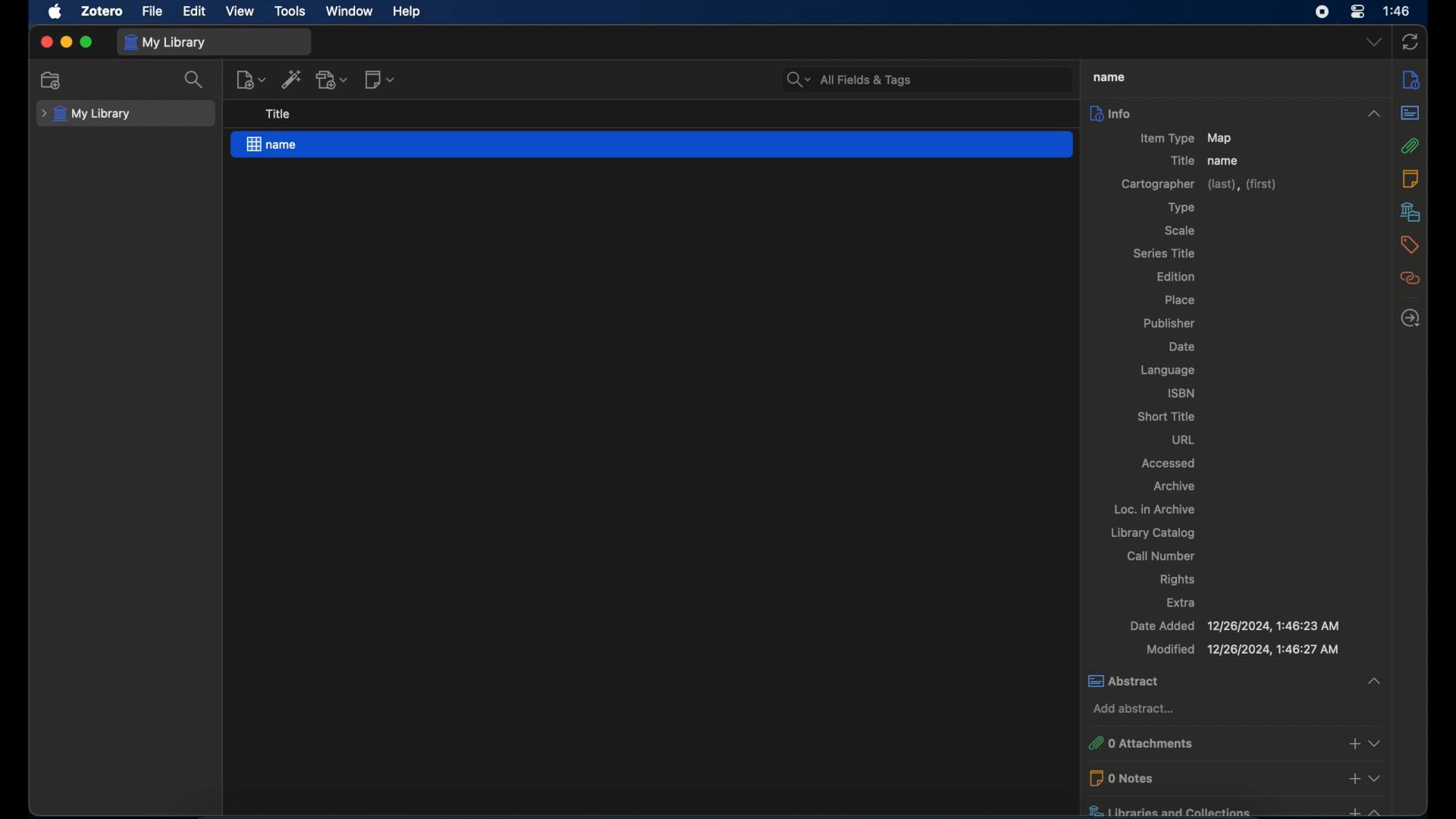 The width and height of the screenshot is (1456, 819). Describe the element at coordinates (1398, 11) in the screenshot. I see `1:46` at that location.